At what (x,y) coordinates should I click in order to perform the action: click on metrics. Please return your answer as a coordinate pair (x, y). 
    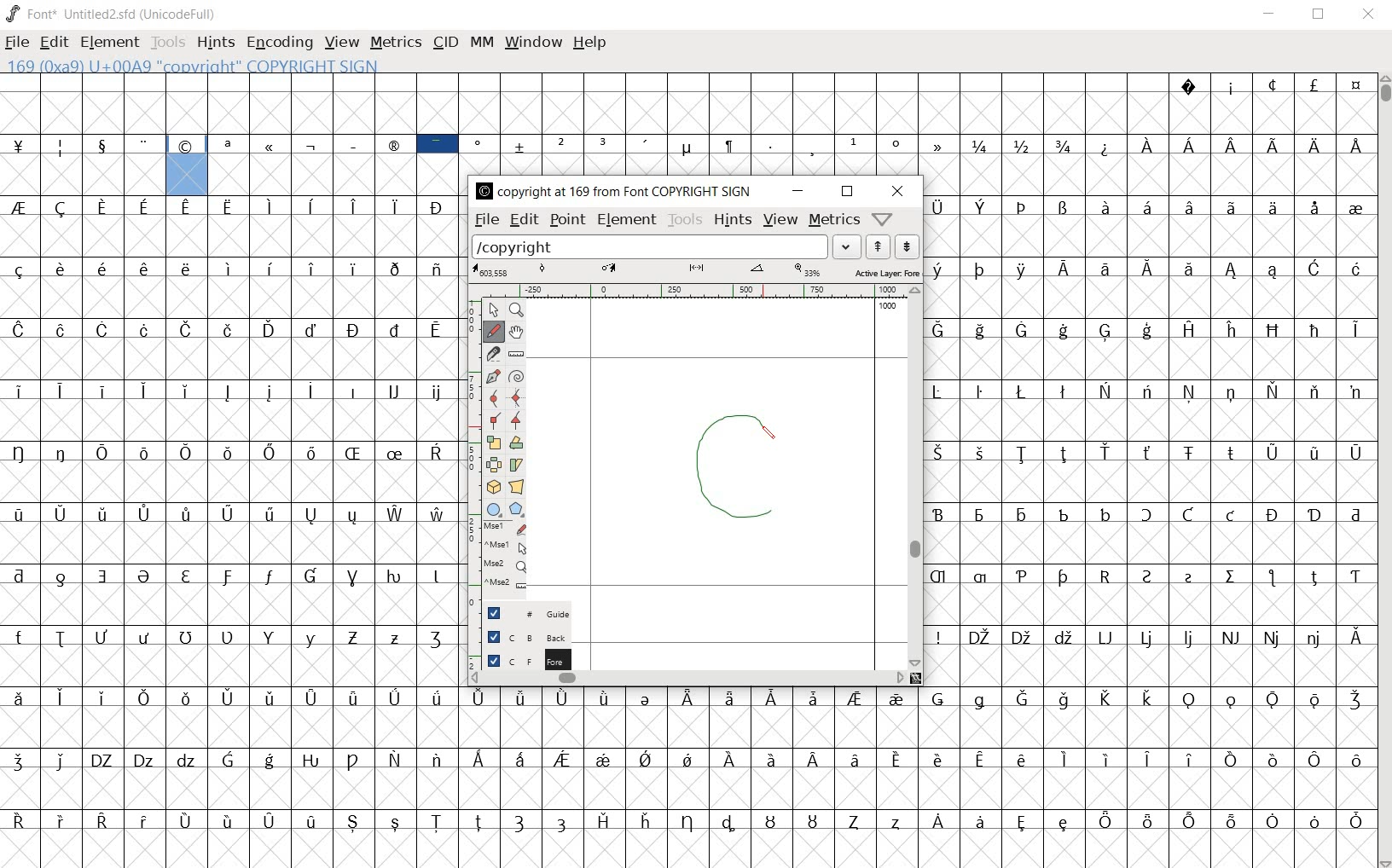
    Looking at the image, I should click on (395, 42).